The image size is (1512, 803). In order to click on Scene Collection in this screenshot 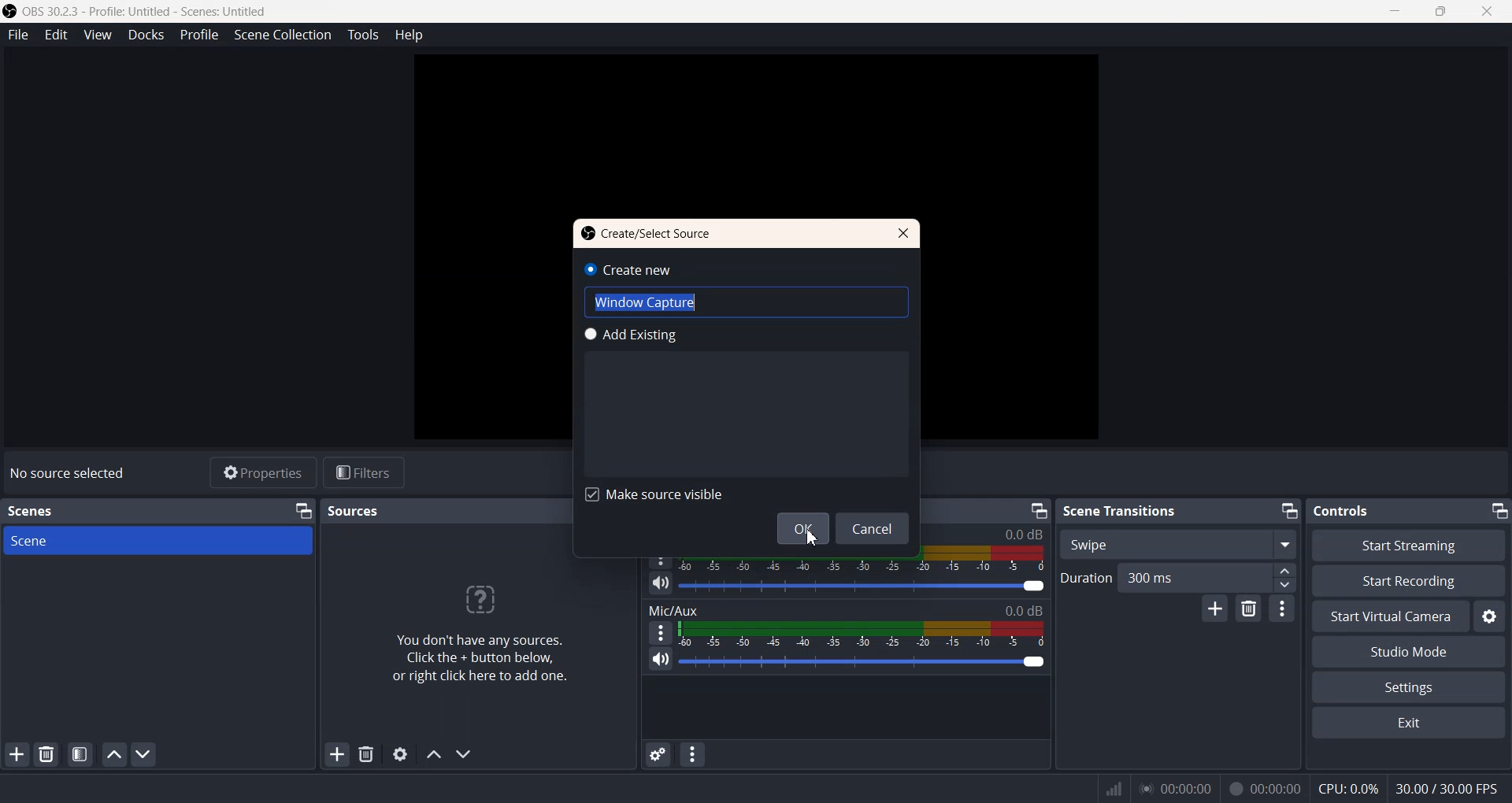, I will do `click(281, 35)`.